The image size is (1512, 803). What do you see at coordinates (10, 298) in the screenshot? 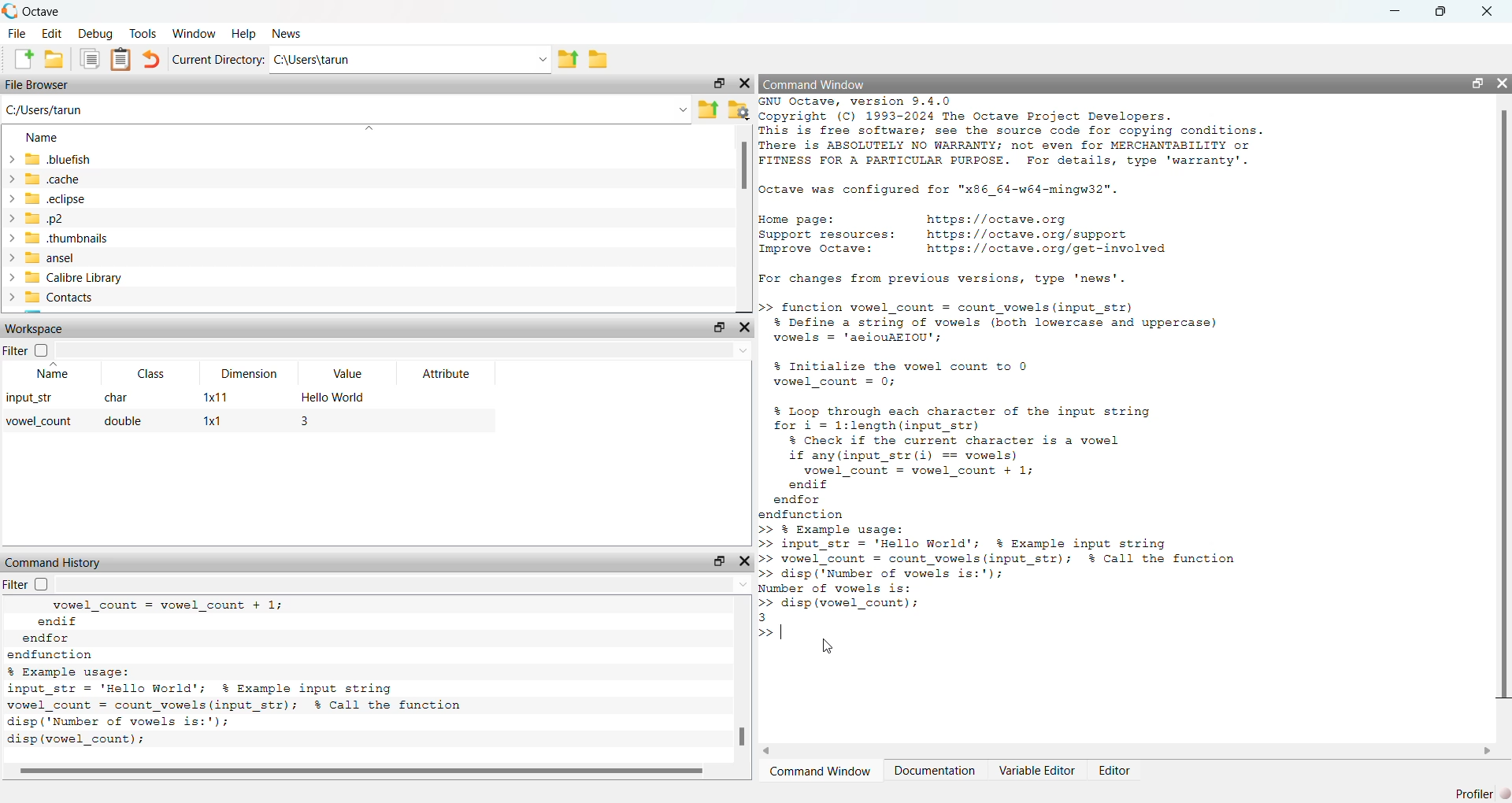
I see `expand/collapse` at bounding box center [10, 298].